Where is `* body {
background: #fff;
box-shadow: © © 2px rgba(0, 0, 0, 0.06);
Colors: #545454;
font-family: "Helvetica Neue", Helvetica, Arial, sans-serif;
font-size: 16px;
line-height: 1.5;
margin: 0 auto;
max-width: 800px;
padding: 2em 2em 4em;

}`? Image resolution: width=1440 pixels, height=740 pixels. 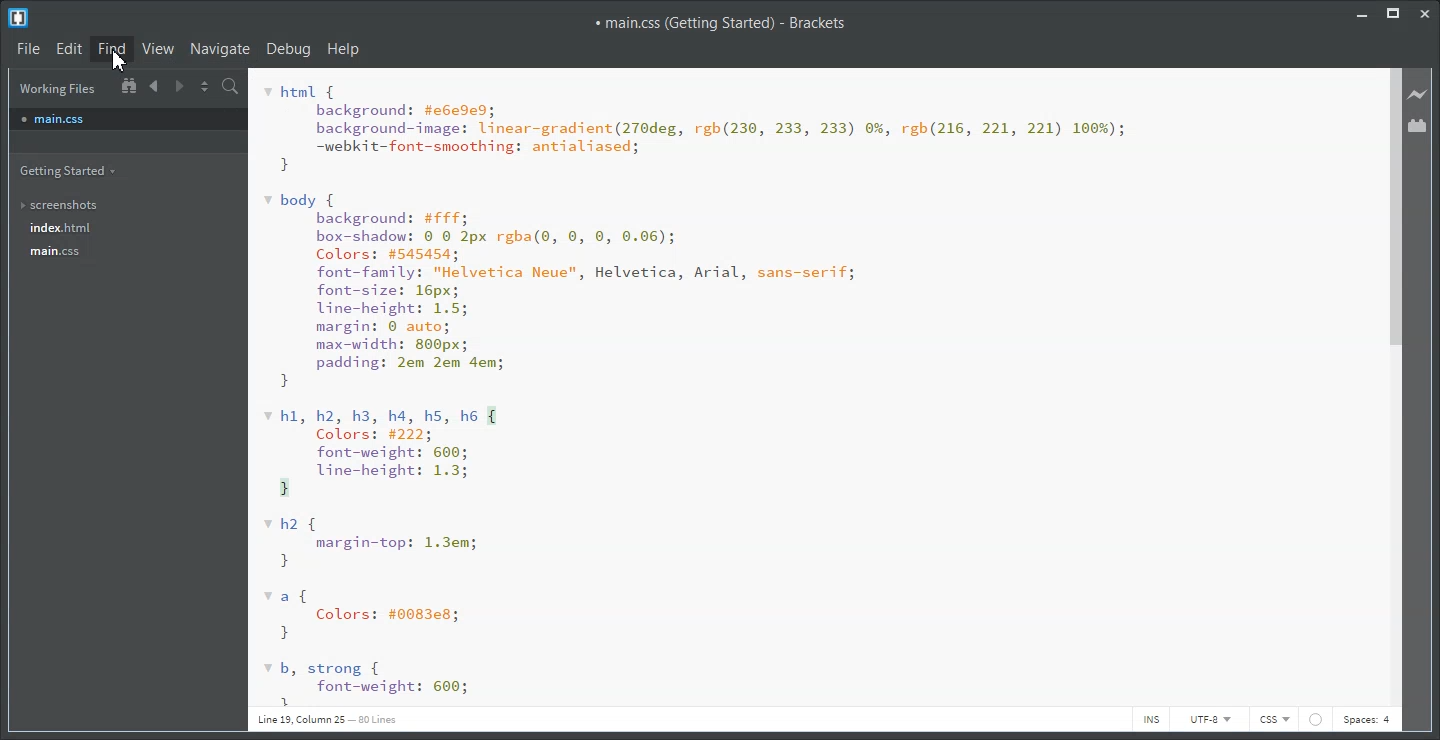 * body {
background: #fff;
box-shadow: © © 2px rgba(0, 0, 0, 0.06);
Colors: #545454;
font-family: "Helvetica Neue", Helvetica, Arial, sans-serif;
font-size: 16px;
line-height: 1.5;
margin: 0 auto;
max-width: 800px;
padding: 2em 2em 4em;

} is located at coordinates (567, 291).